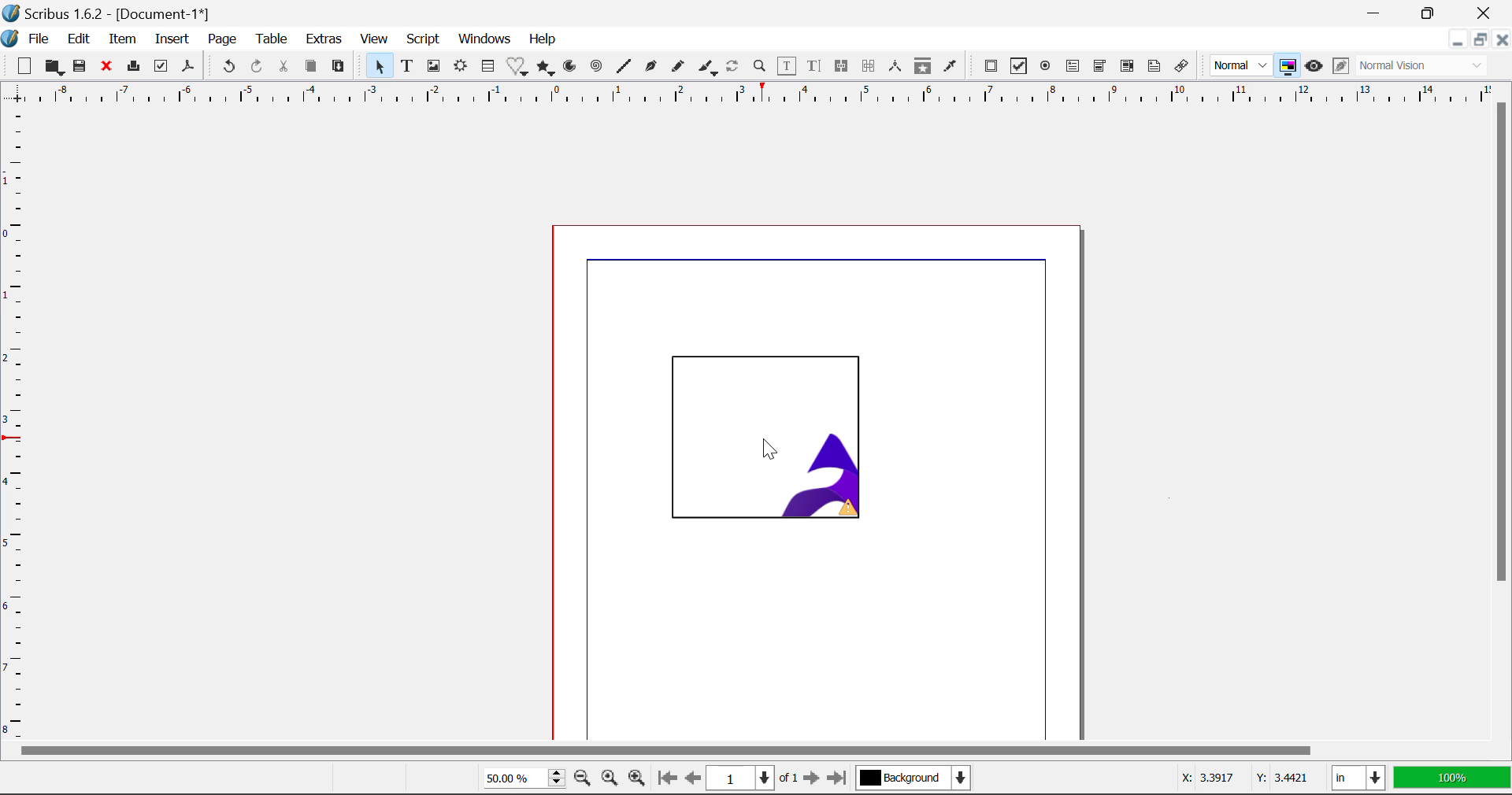  What do you see at coordinates (1339, 68) in the screenshot?
I see `Edit in Preview` at bounding box center [1339, 68].